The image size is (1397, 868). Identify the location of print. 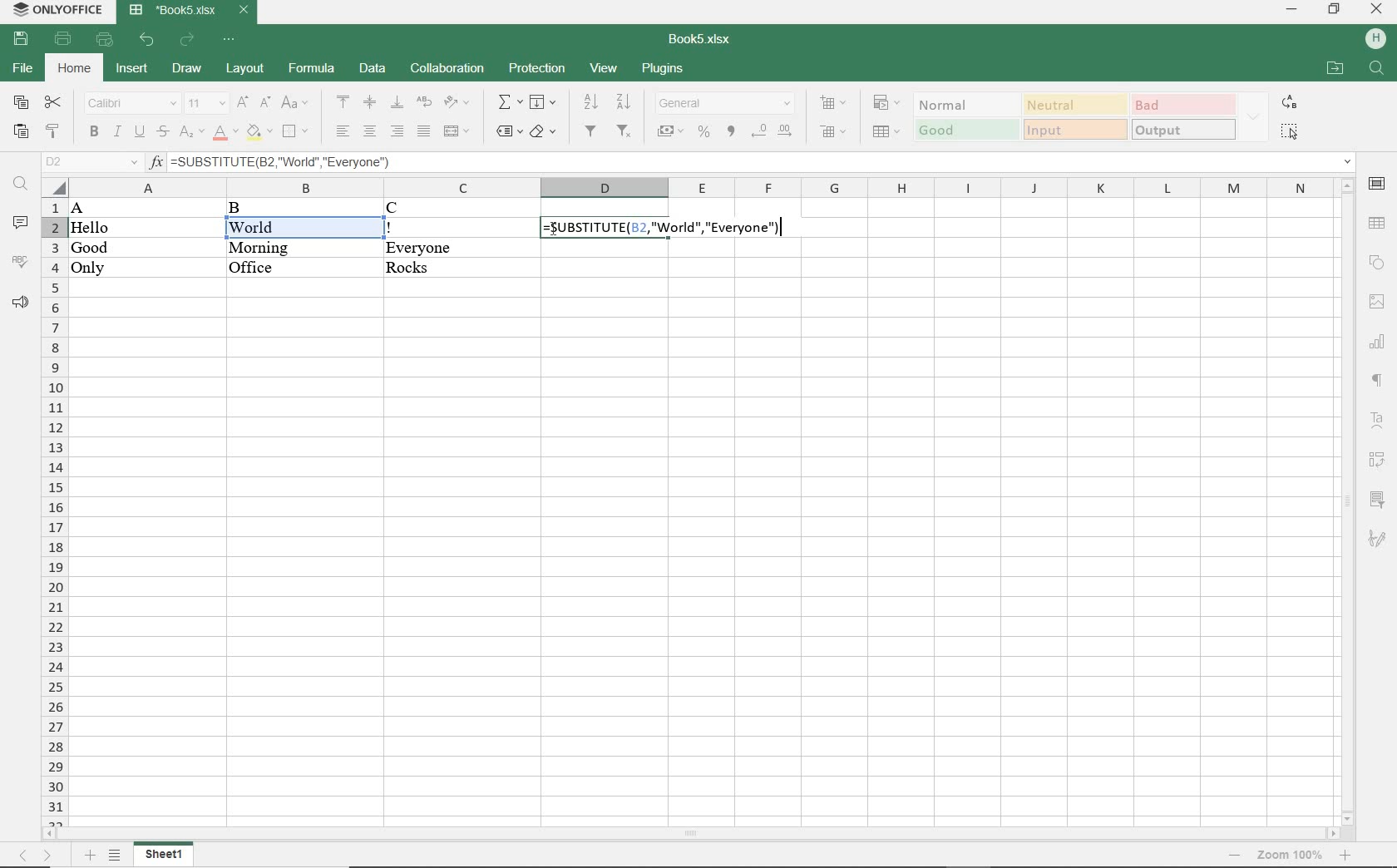
(64, 38).